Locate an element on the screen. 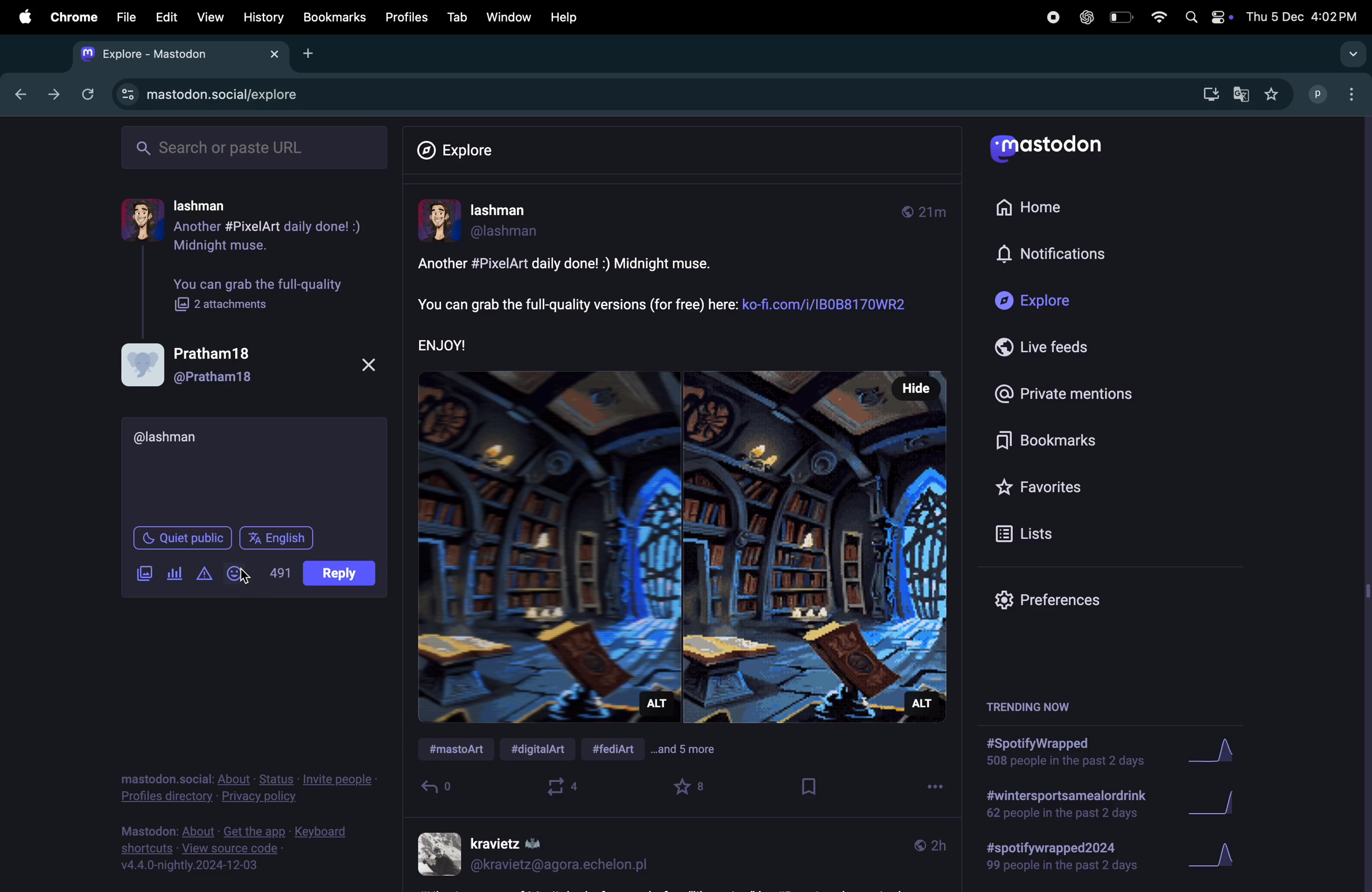 The width and height of the screenshot is (1372, 892). you can grab full quality image is located at coordinates (263, 294).